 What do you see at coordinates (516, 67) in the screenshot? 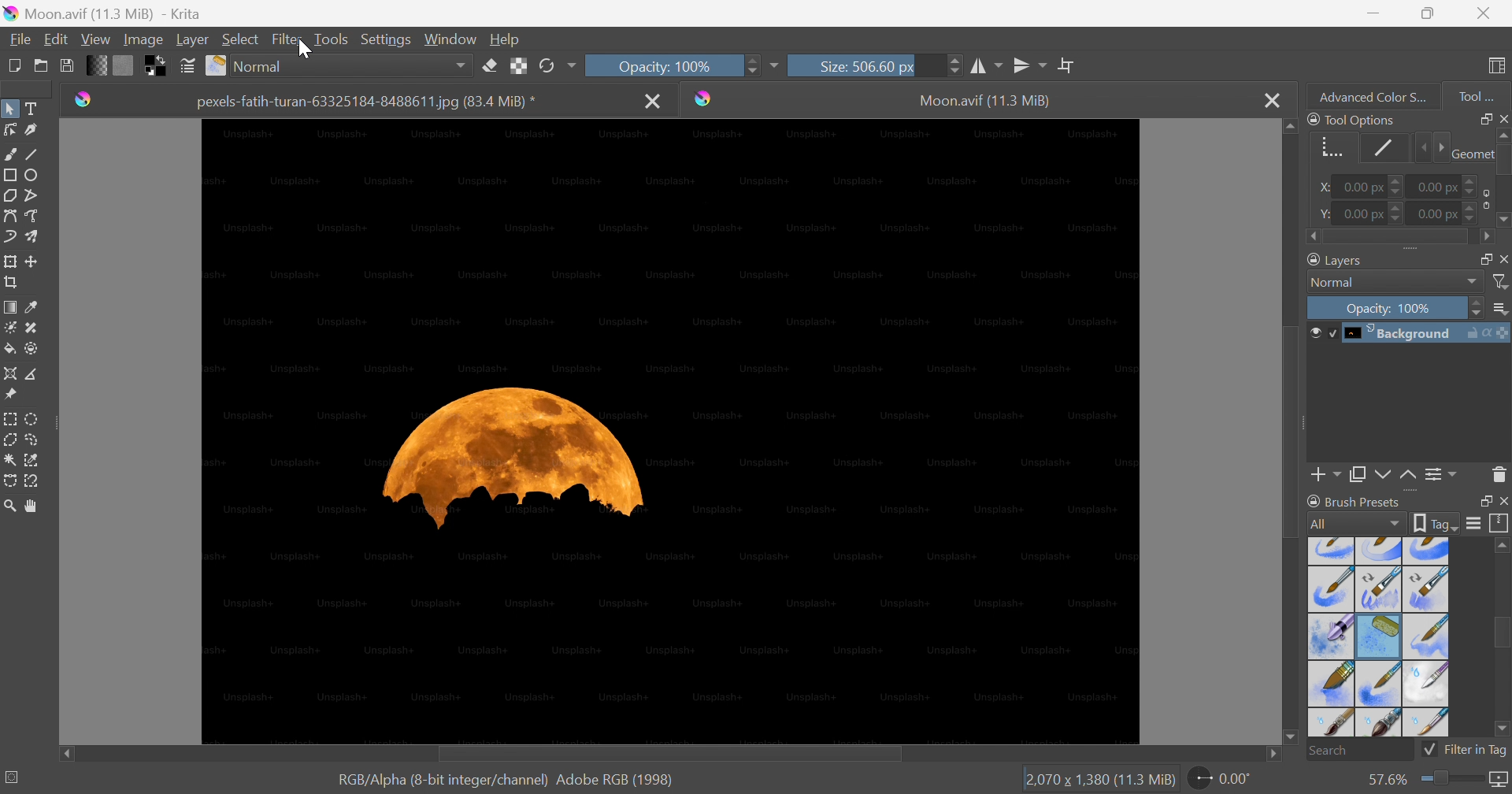
I see `Preserve Alpha` at bounding box center [516, 67].